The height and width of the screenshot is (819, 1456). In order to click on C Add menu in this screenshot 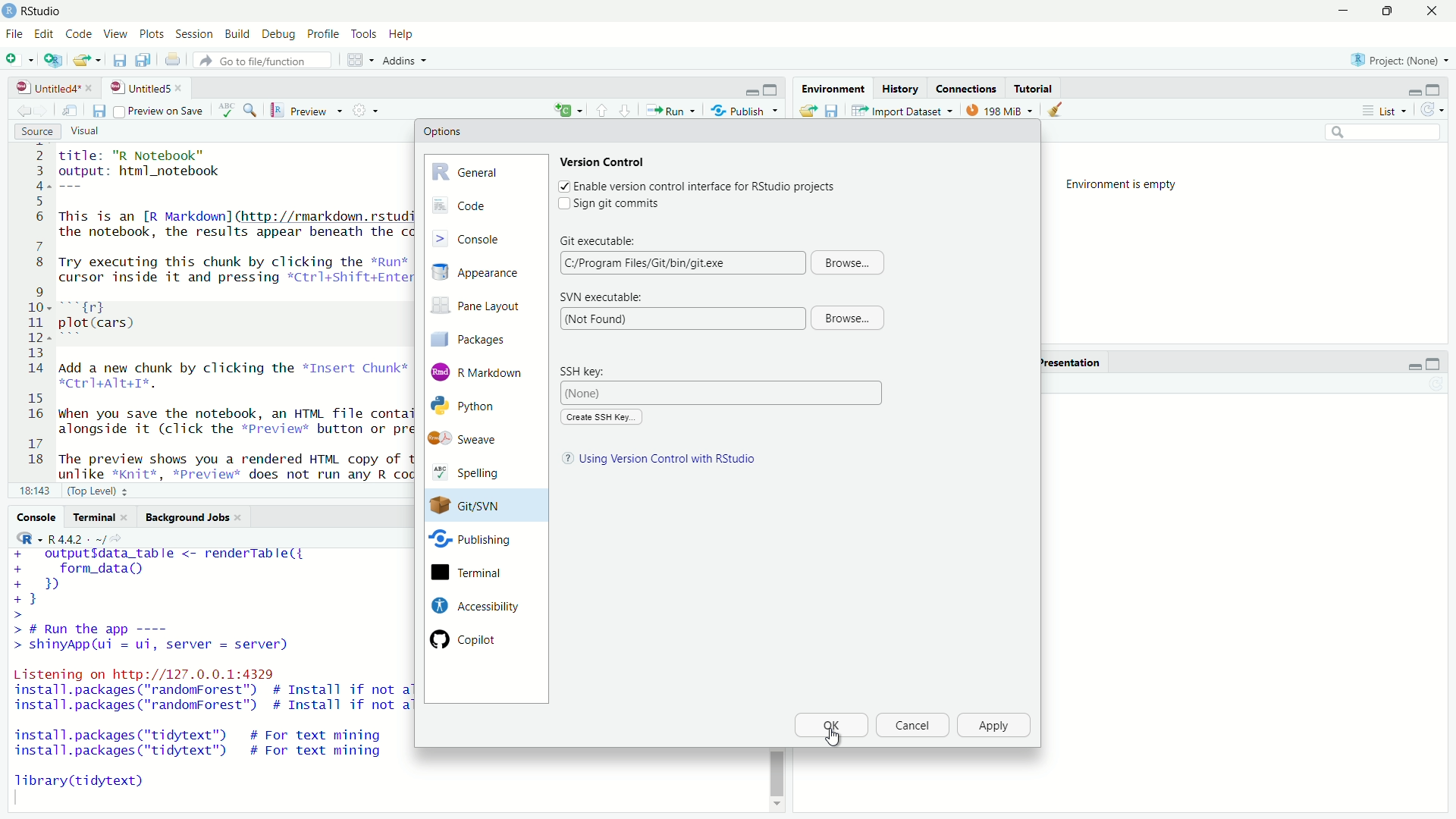, I will do `click(568, 108)`.